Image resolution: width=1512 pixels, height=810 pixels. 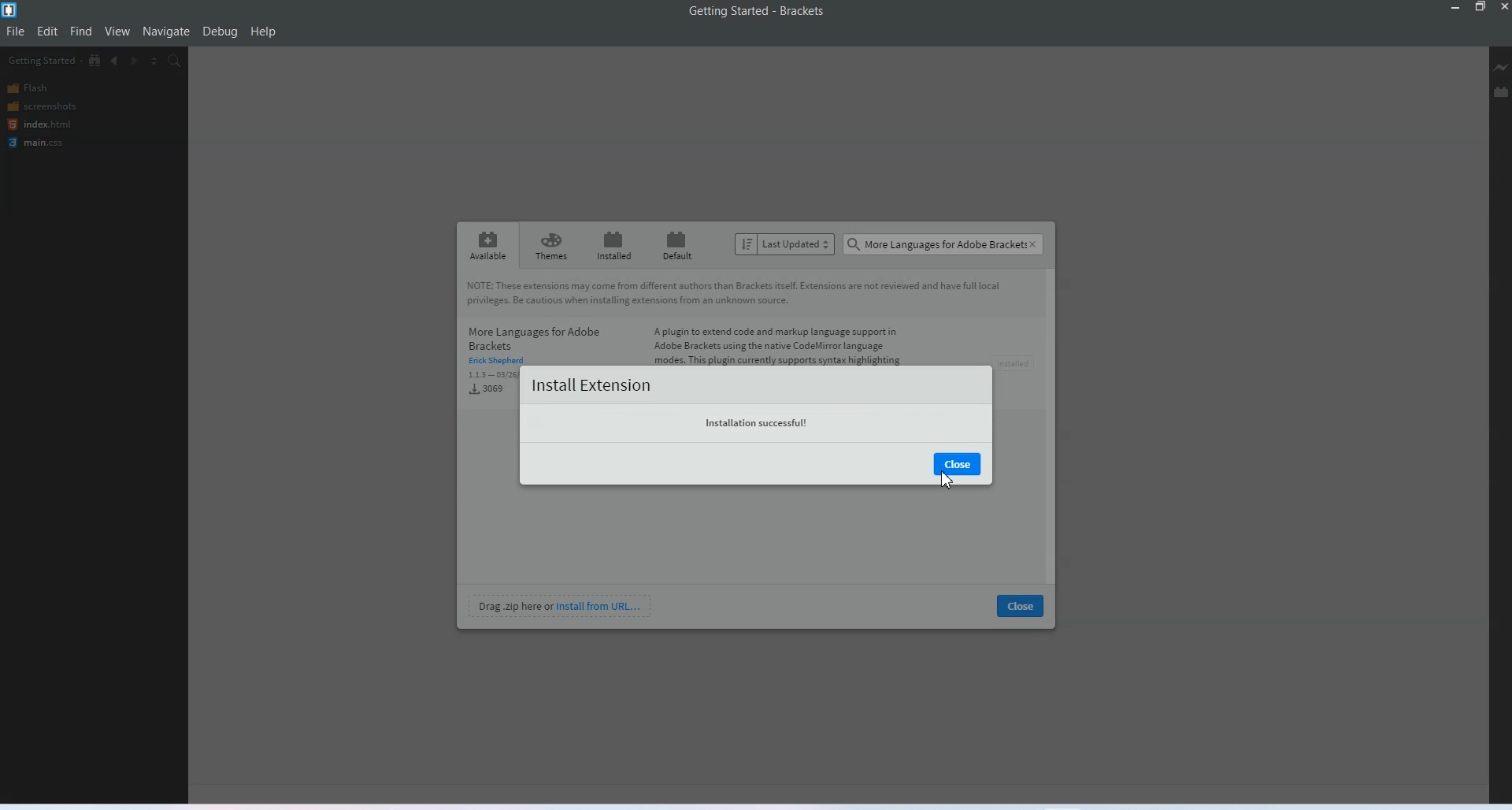 I want to click on Navigate Backwards, so click(x=116, y=61).